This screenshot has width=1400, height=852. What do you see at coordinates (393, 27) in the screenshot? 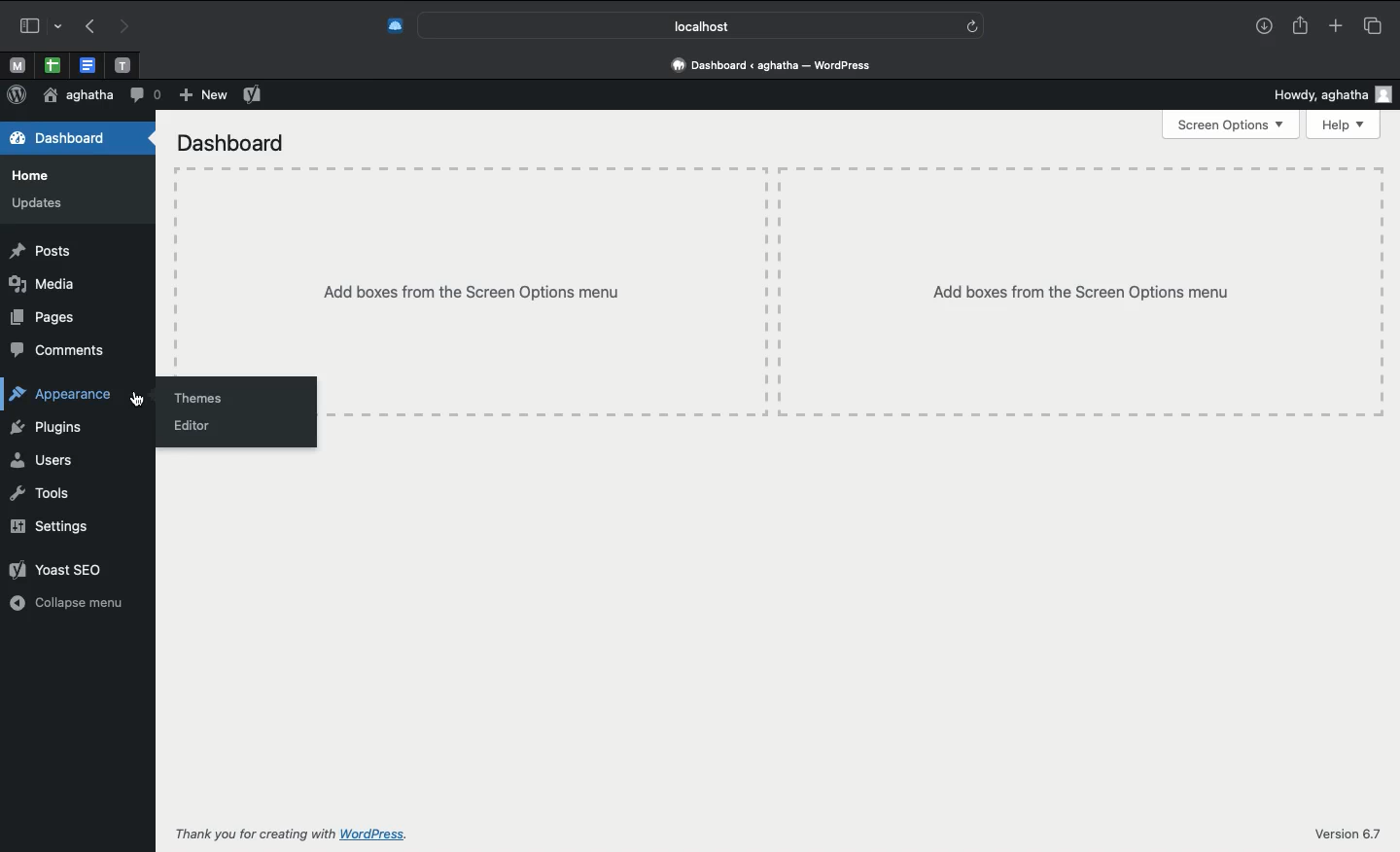
I see `Extensions` at bounding box center [393, 27].